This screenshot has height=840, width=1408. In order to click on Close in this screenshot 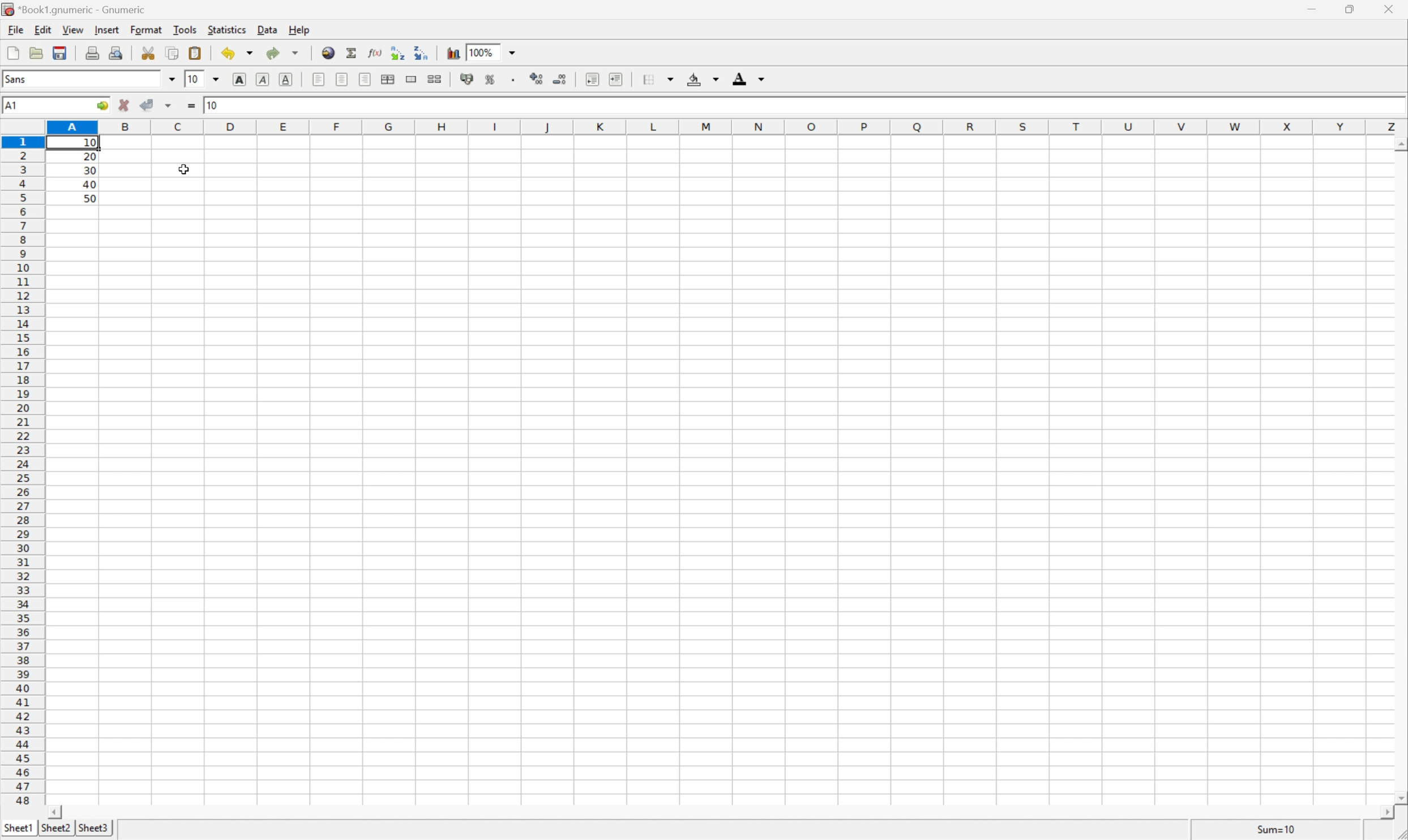, I will do `click(1388, 8)`.